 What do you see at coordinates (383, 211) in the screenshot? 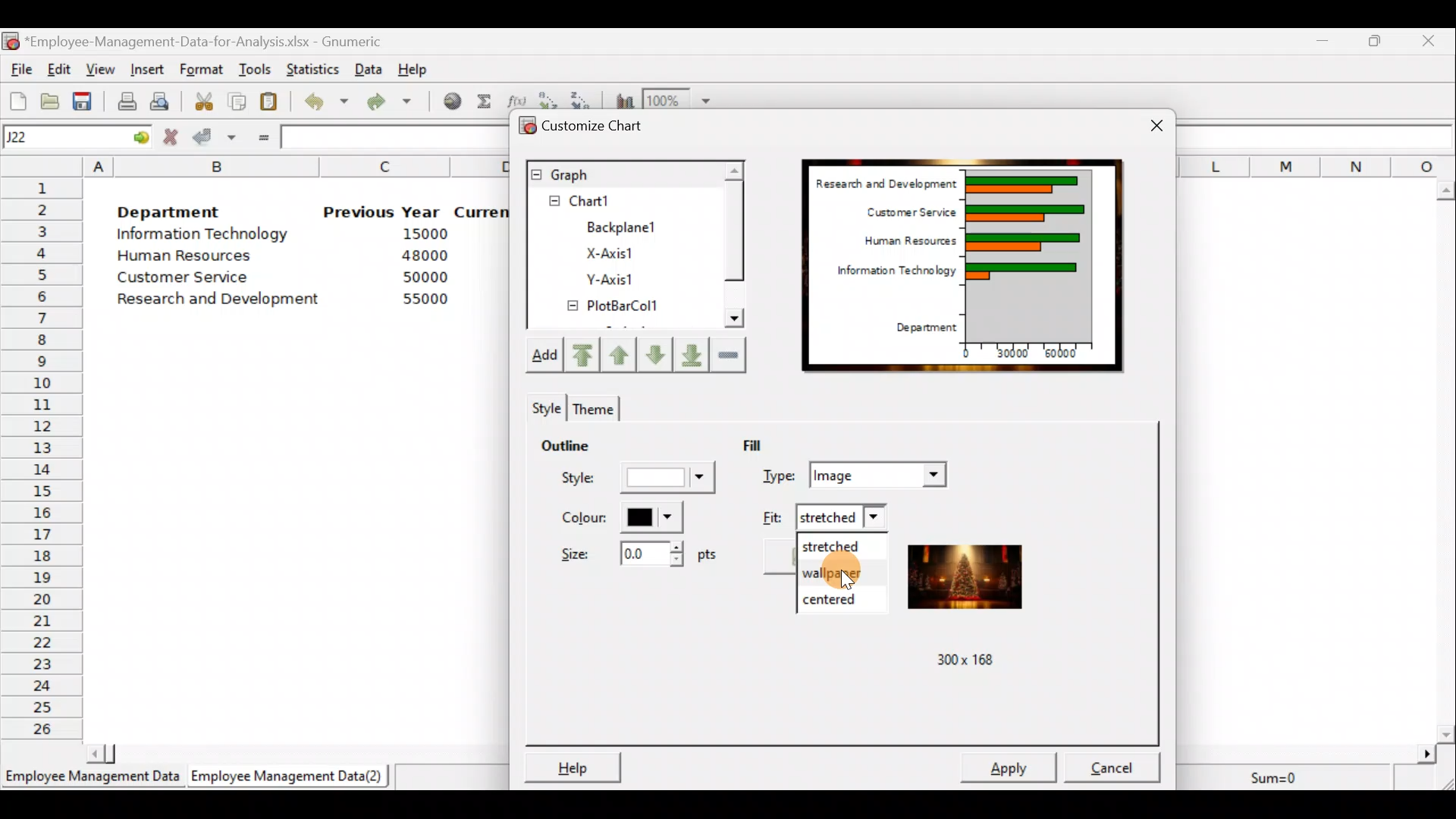
I see `Previous Year` at bounding box center [383, 211].